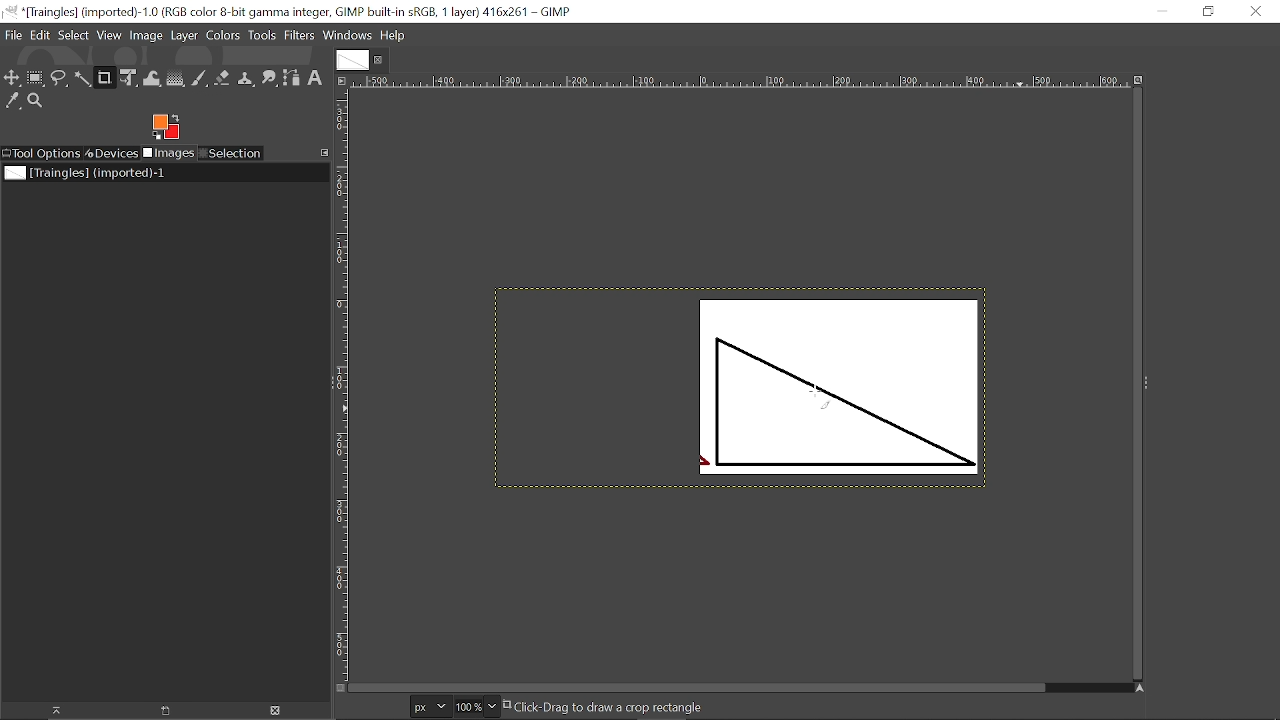  What do you see at coordinates (184, 37) in the screenshot?
I see `layer` at bounding box center [184, 37].